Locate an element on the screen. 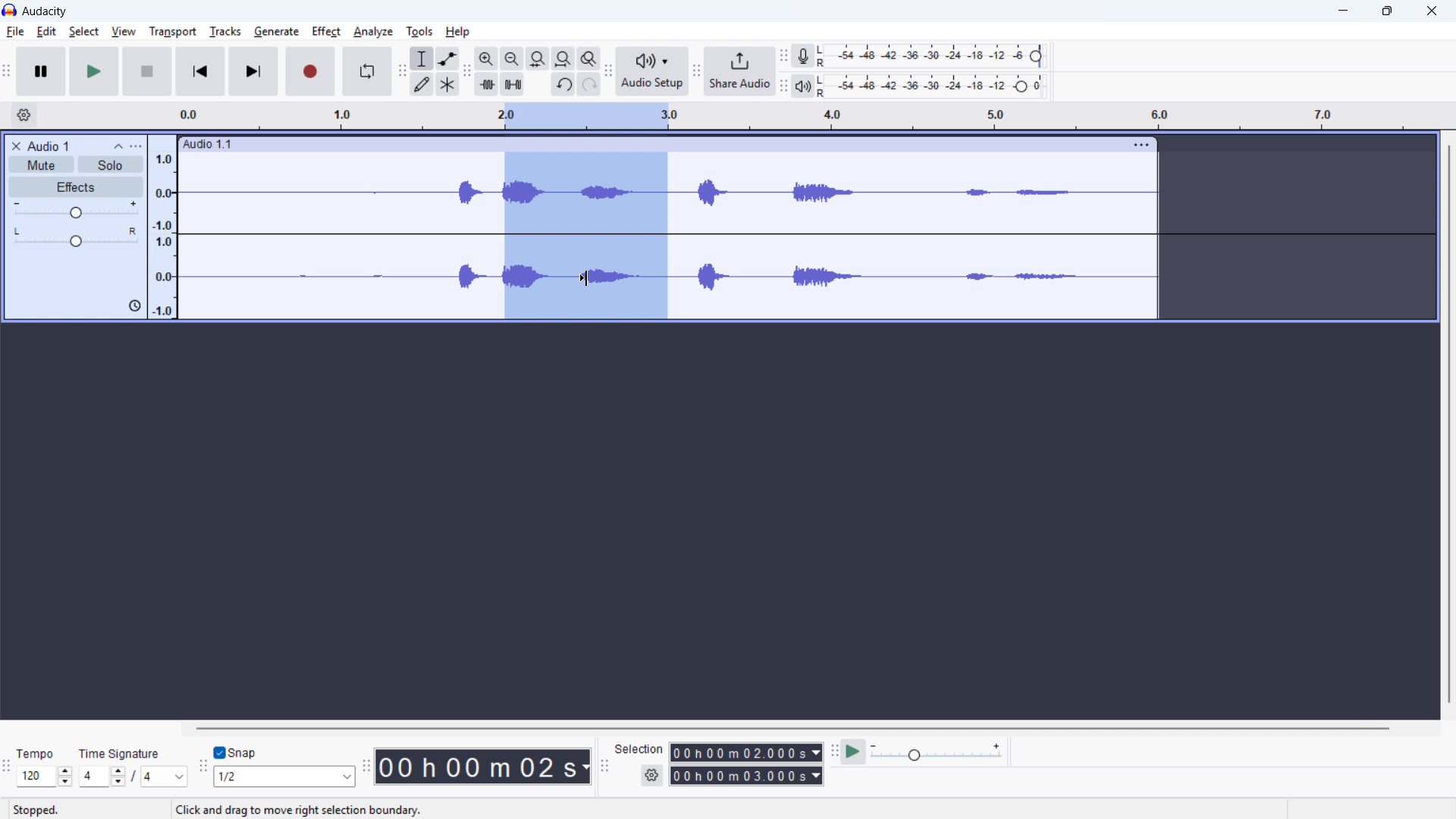 The image size is (1456, 819). Skip to last is located at coordinates (254, 72).